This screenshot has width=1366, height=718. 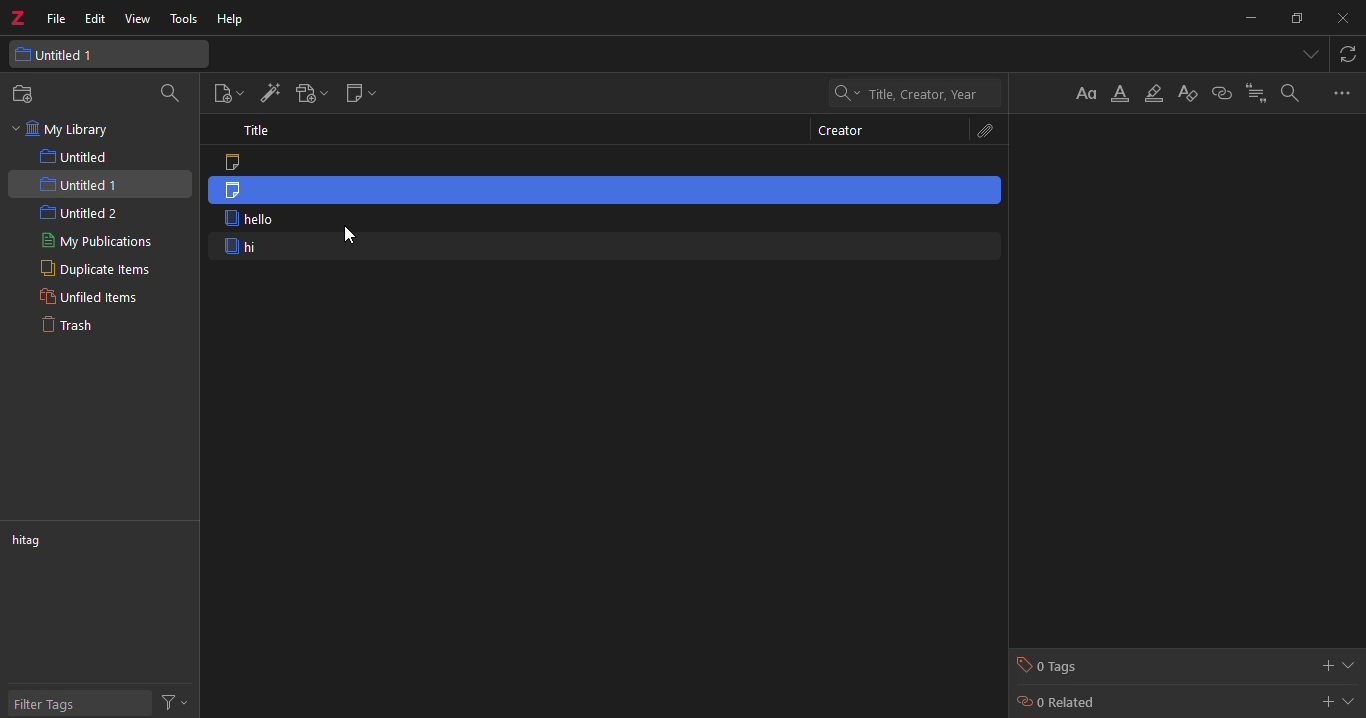 I want to click on search, so click(x=1294, y=93).